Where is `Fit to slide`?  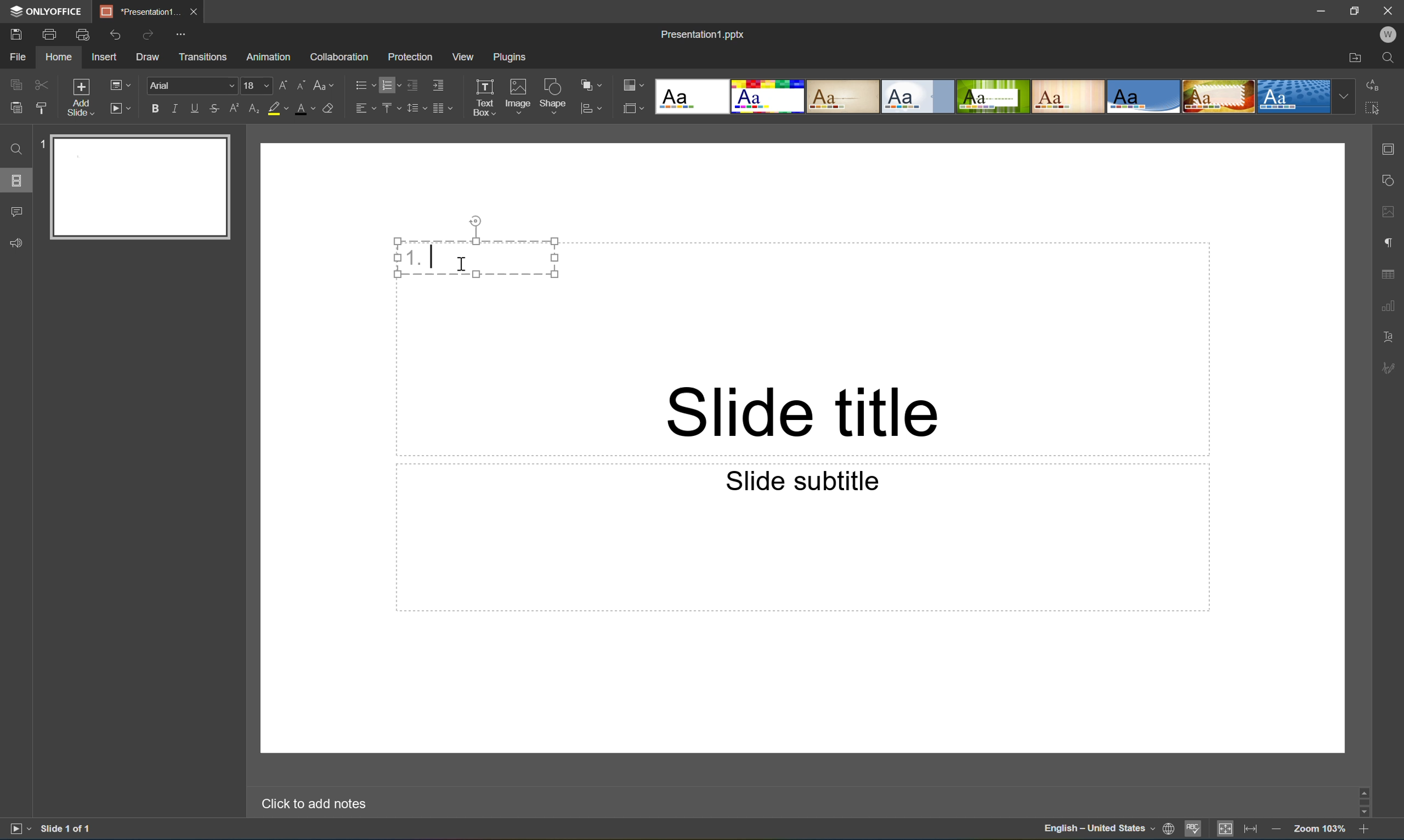
Fit to slide is located at coordinates (1227, 828).